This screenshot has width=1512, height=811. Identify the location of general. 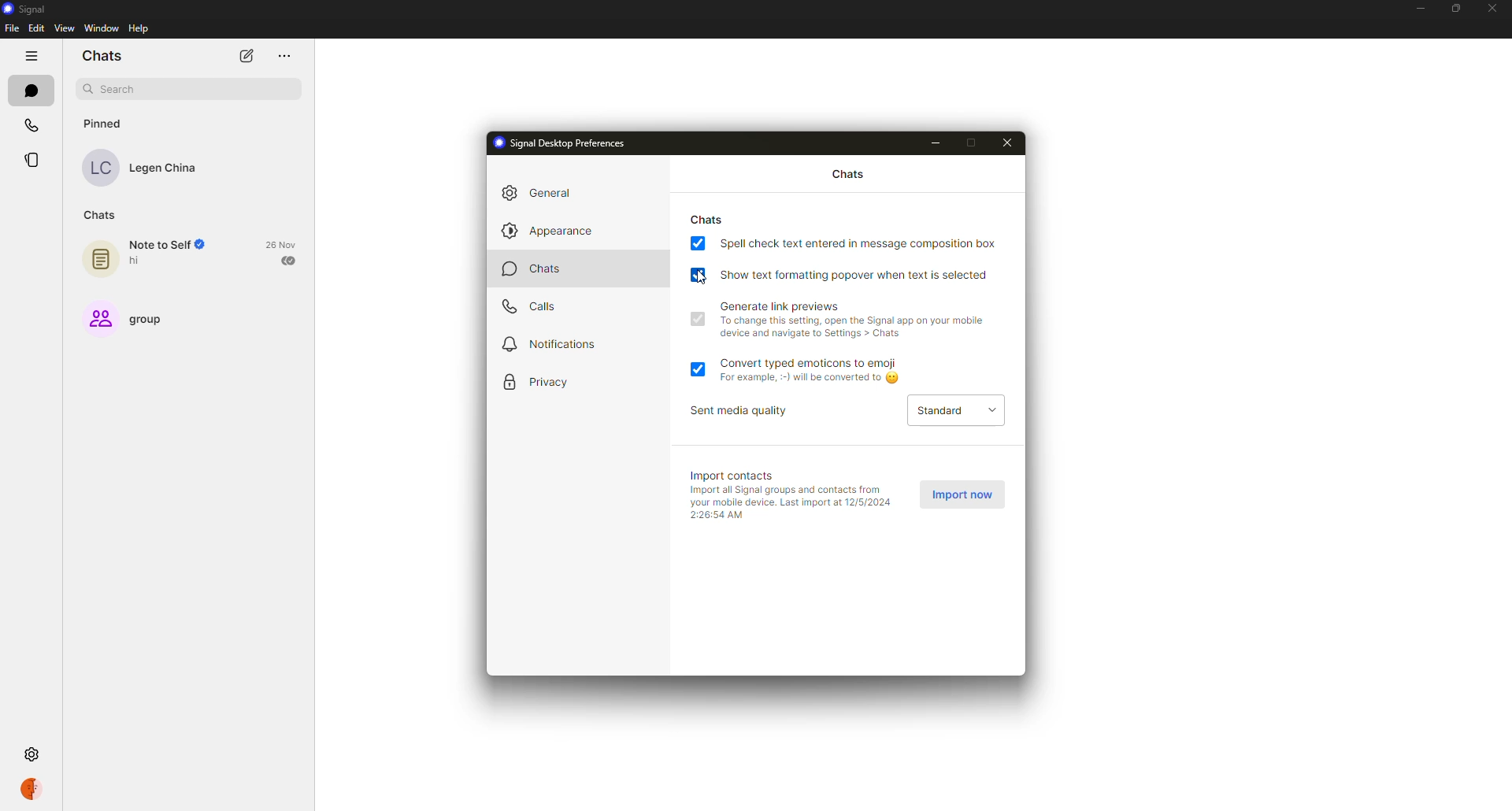
(547, 191).